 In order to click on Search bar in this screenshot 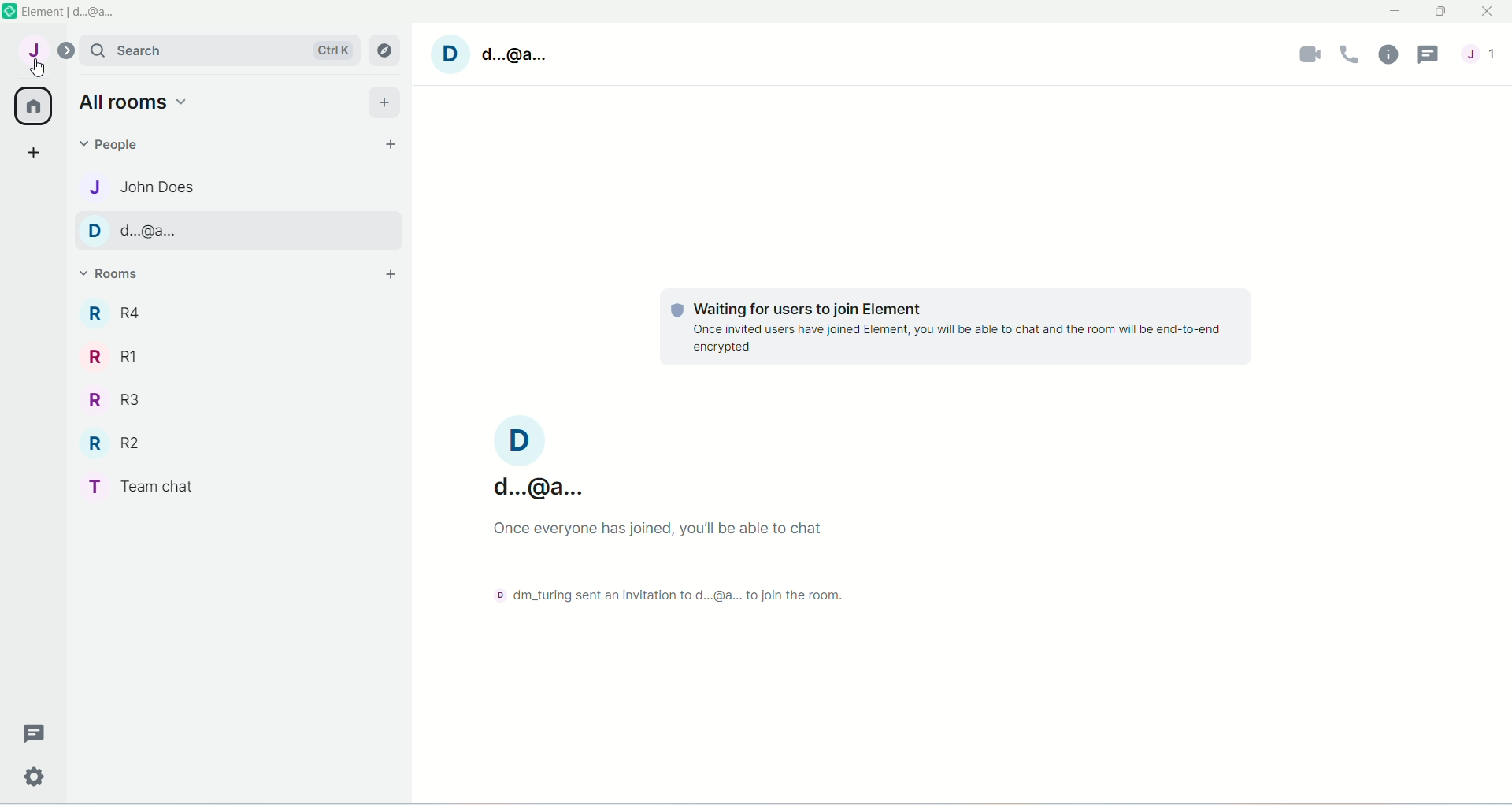, I will do `click(223, 49)`.